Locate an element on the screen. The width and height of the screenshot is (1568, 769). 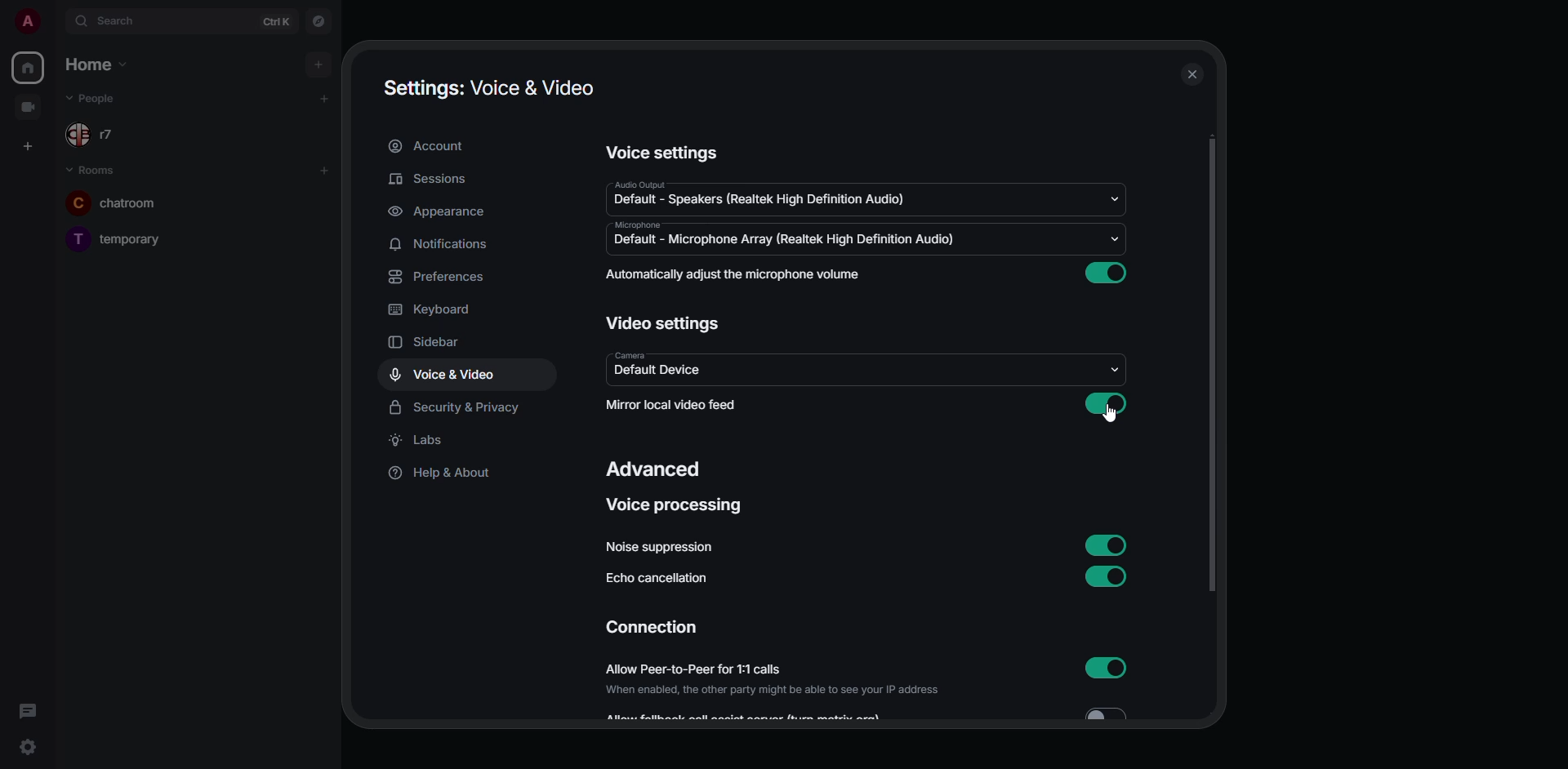
add is located at coordinates (318, 64).